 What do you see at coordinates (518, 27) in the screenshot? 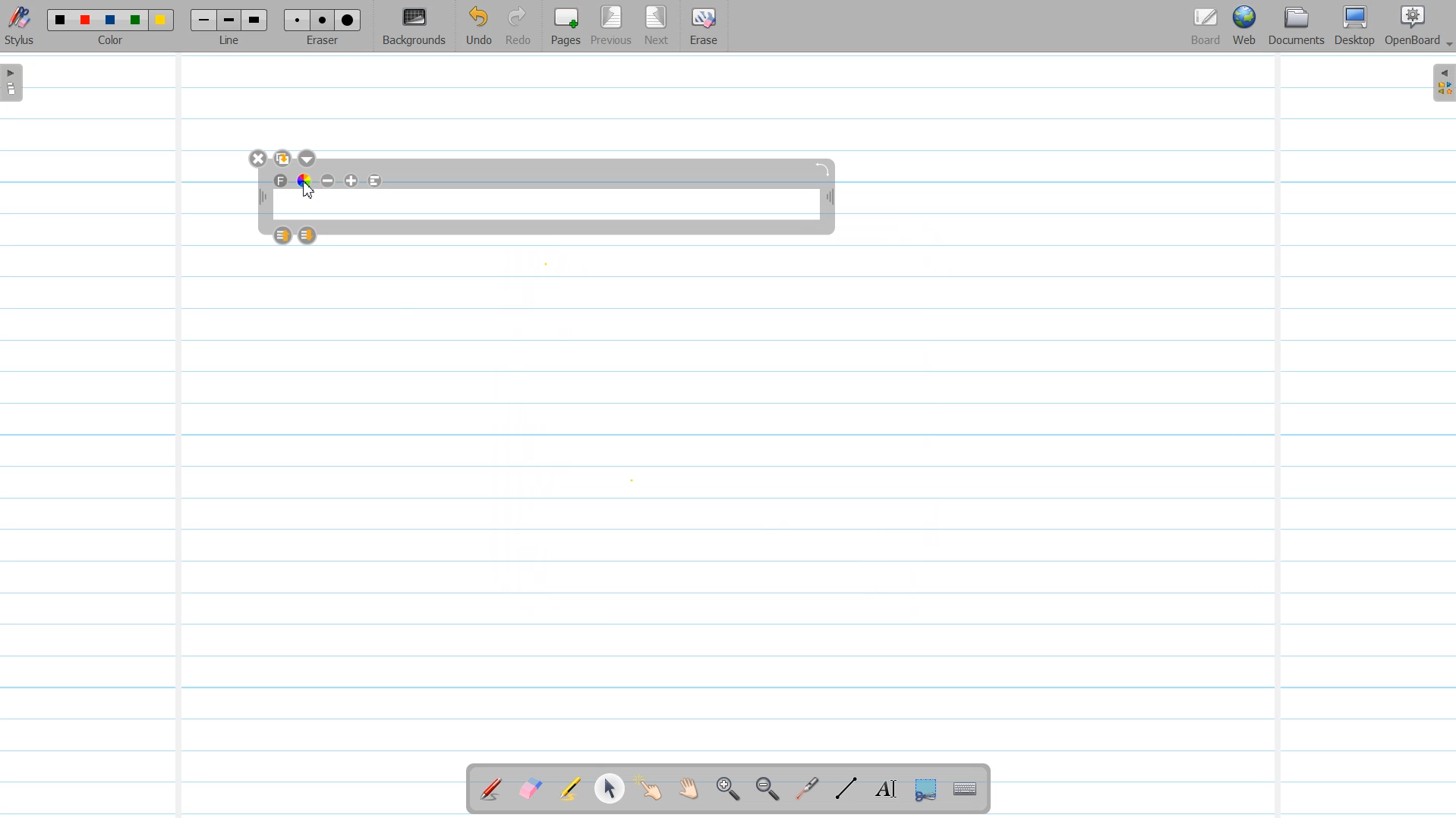
I see `Redo` at bounding box center [518, 27].